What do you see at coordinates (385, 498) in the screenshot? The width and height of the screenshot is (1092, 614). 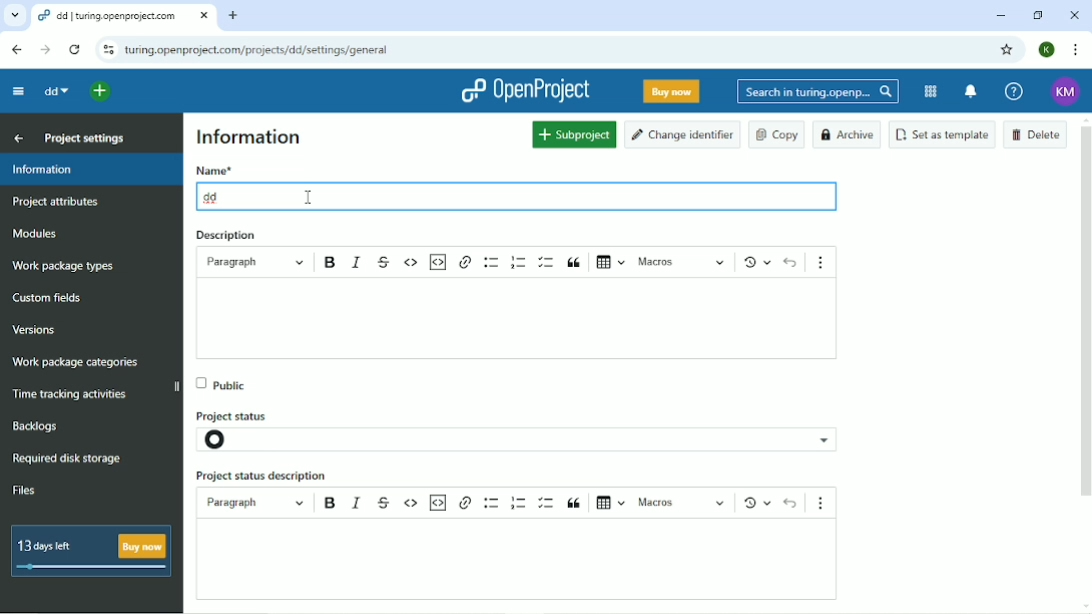 I see `strikethrough` at bounding box center [385, 498].